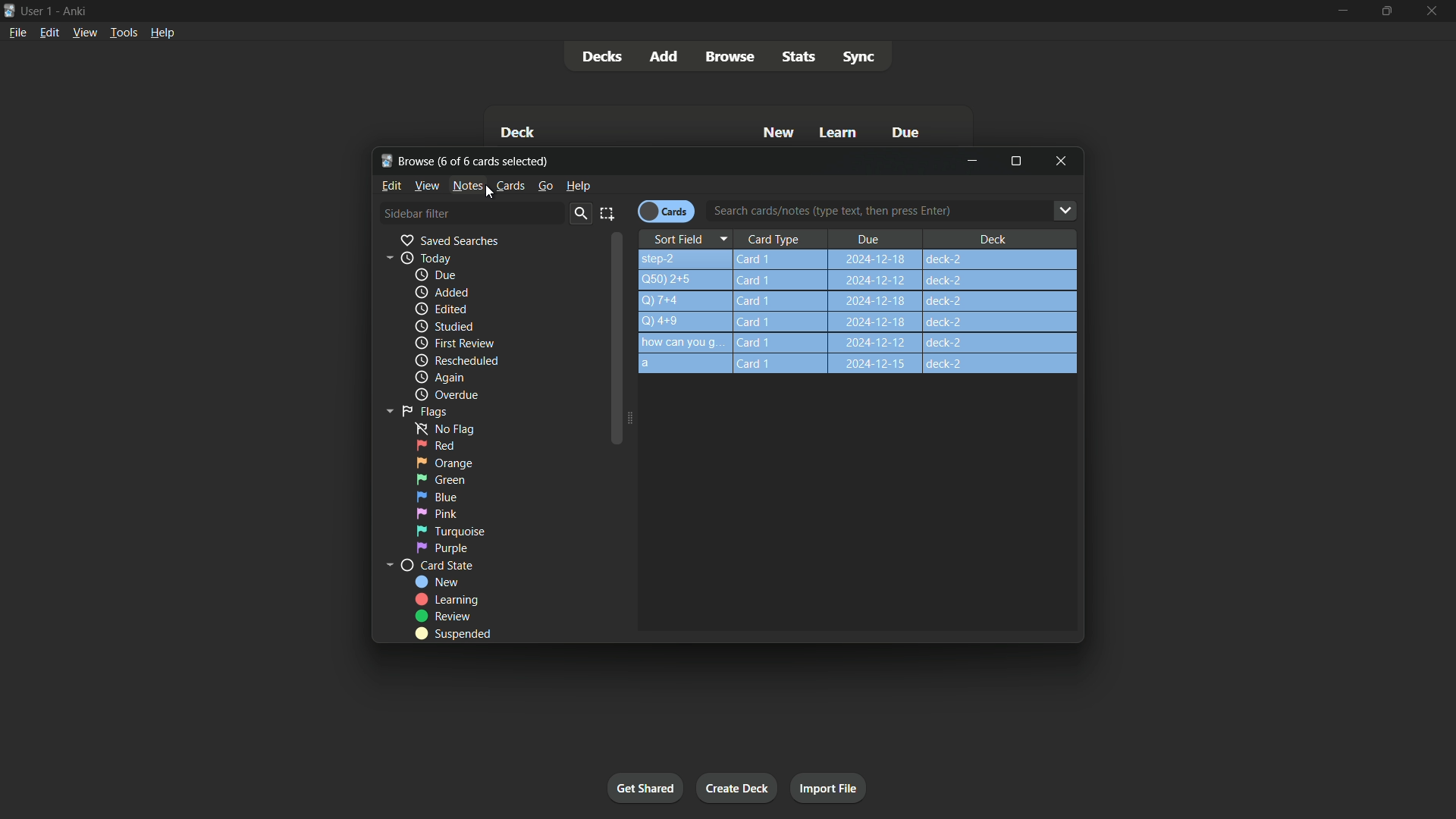 The height and width of the screenshot is (819, 1456). Describe the element at coordinates (898, 212) in the screenshot. I see `Search cards/notes (type text, then press Enter)` at that location.